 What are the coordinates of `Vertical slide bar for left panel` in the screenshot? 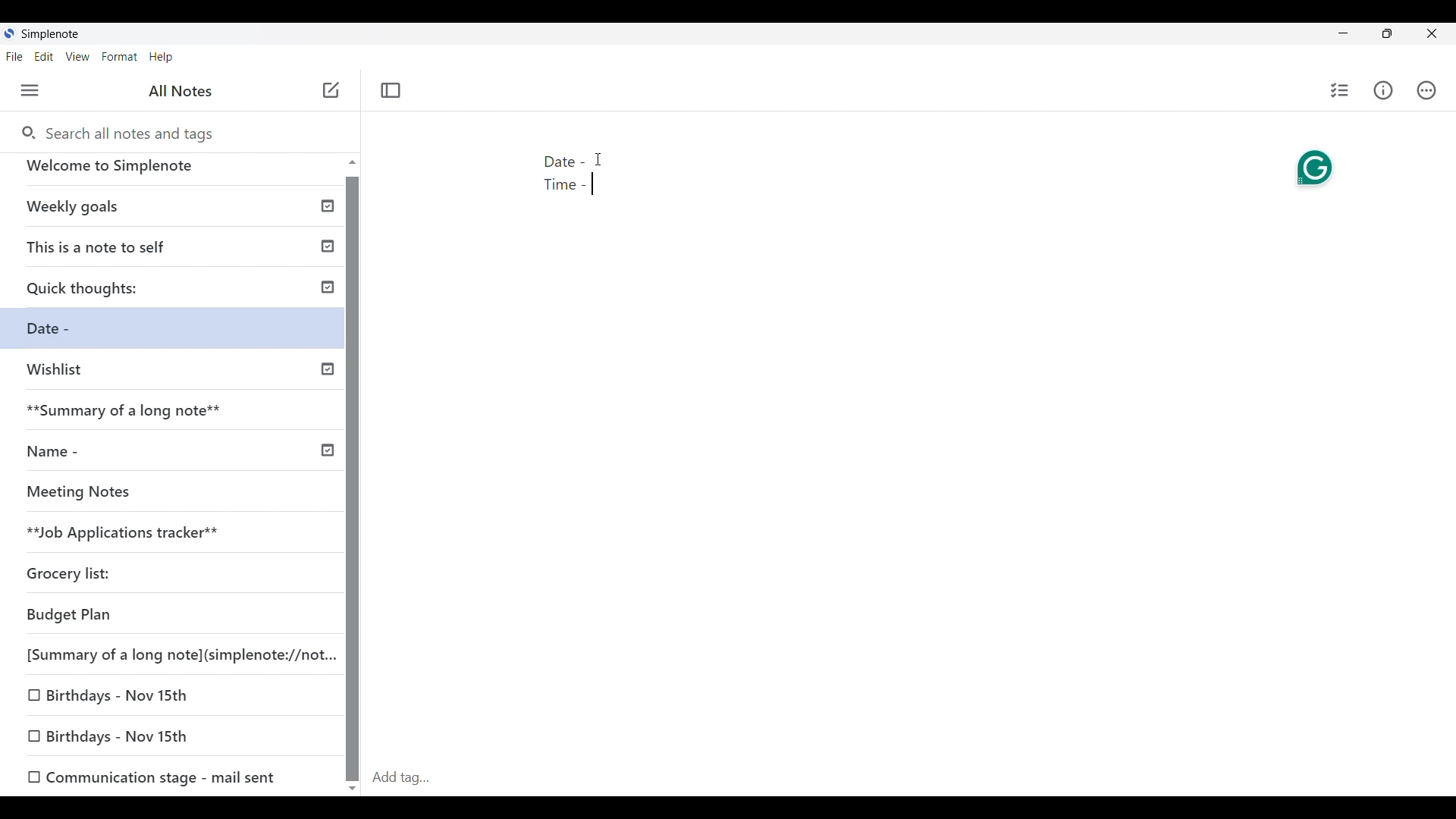 It's located at (352, 479).